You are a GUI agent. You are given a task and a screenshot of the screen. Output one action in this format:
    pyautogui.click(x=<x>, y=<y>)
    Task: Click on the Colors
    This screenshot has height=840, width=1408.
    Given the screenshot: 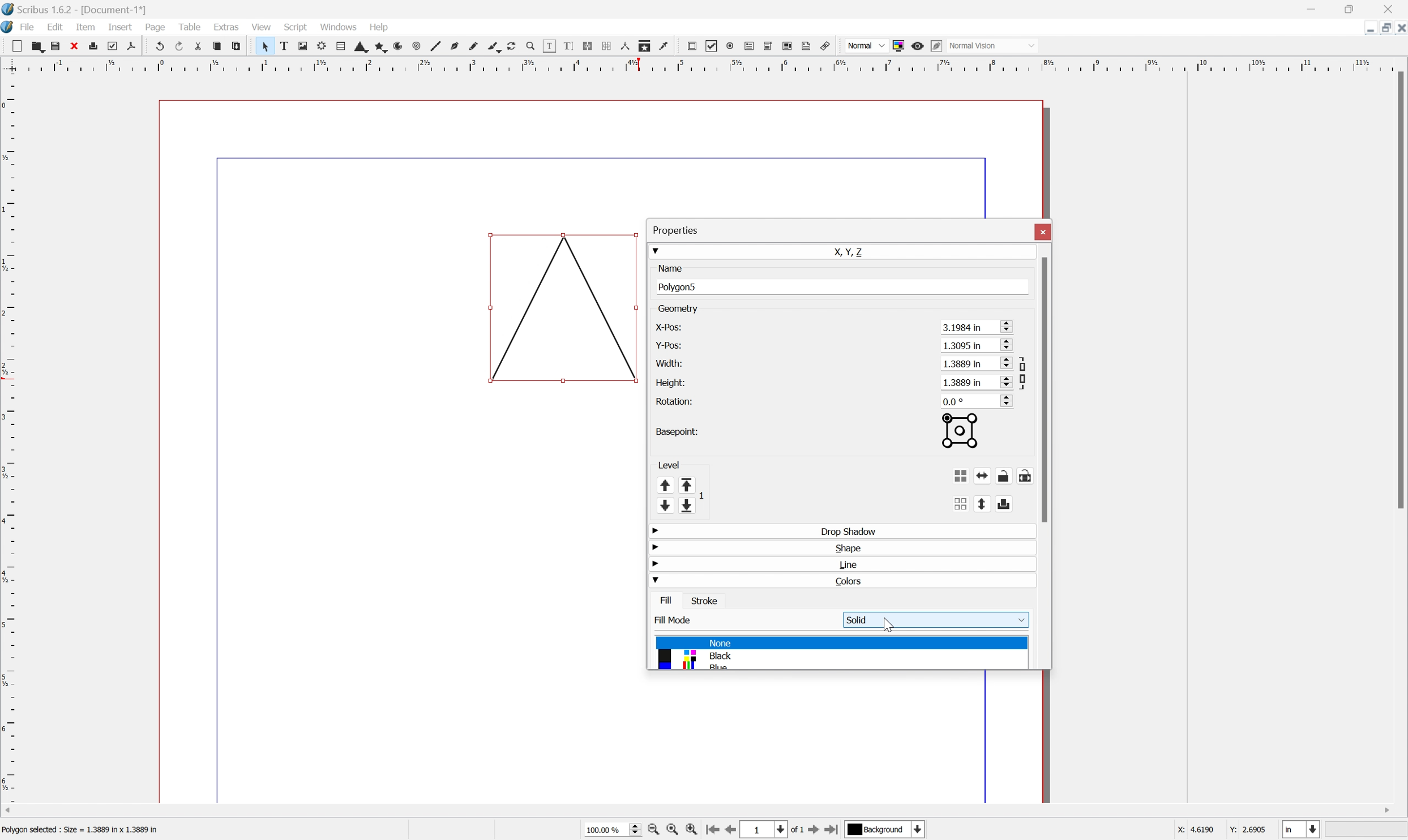 What is the action you would take?
    pyautogui.click(x=854, y=581)
    